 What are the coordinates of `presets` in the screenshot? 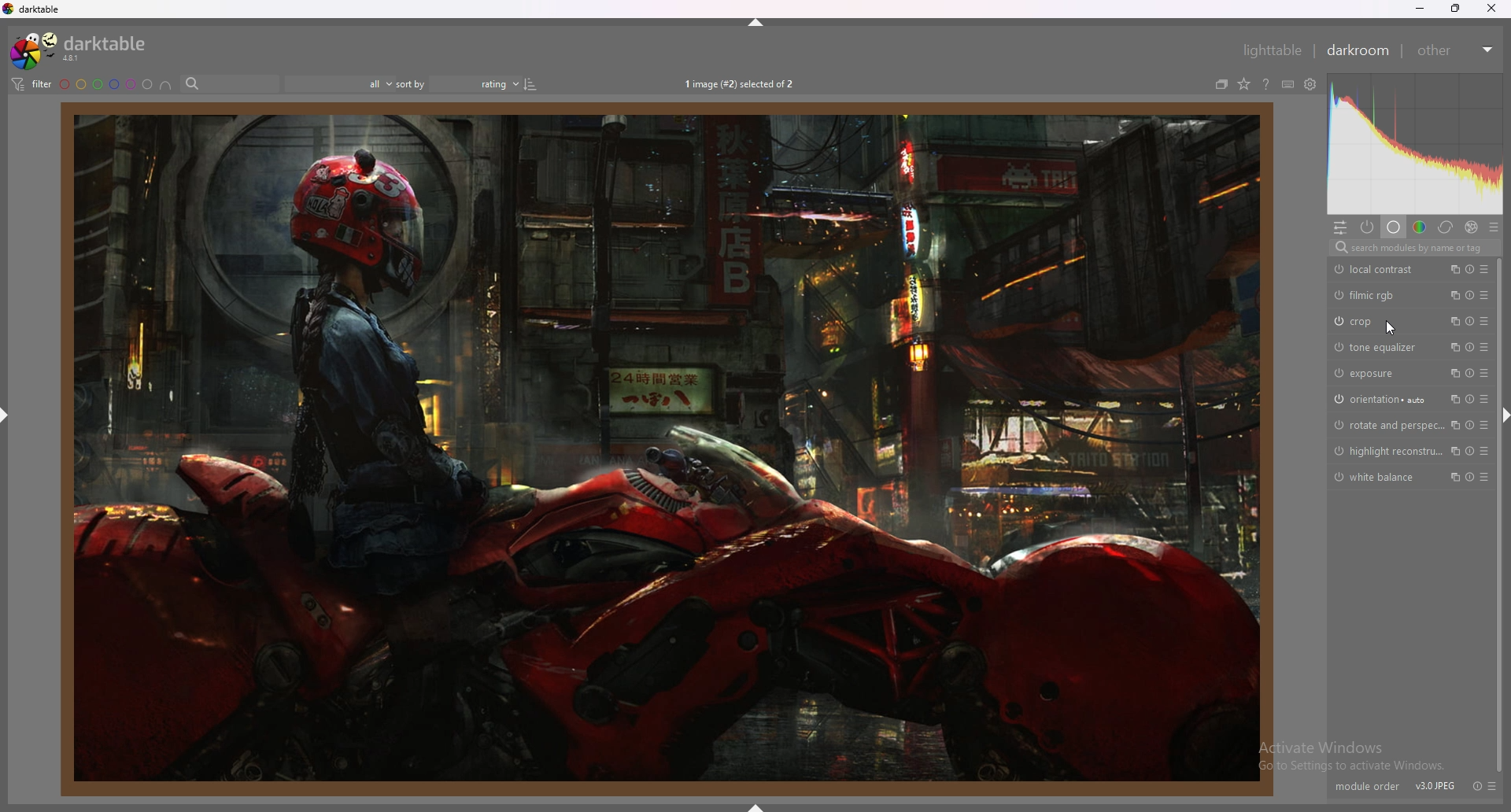 It's located at (1484, 451).